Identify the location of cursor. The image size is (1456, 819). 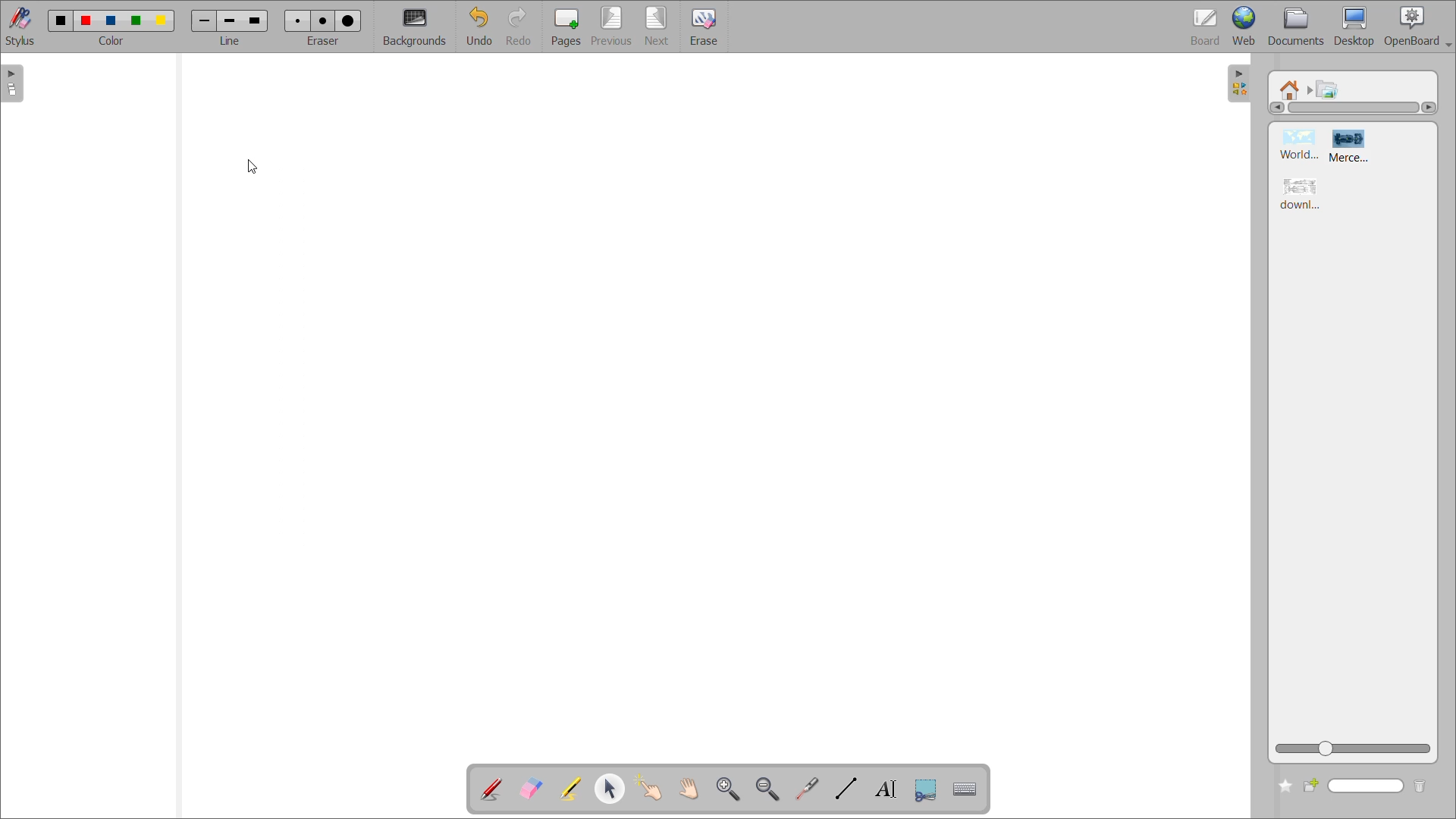
(253, 167).